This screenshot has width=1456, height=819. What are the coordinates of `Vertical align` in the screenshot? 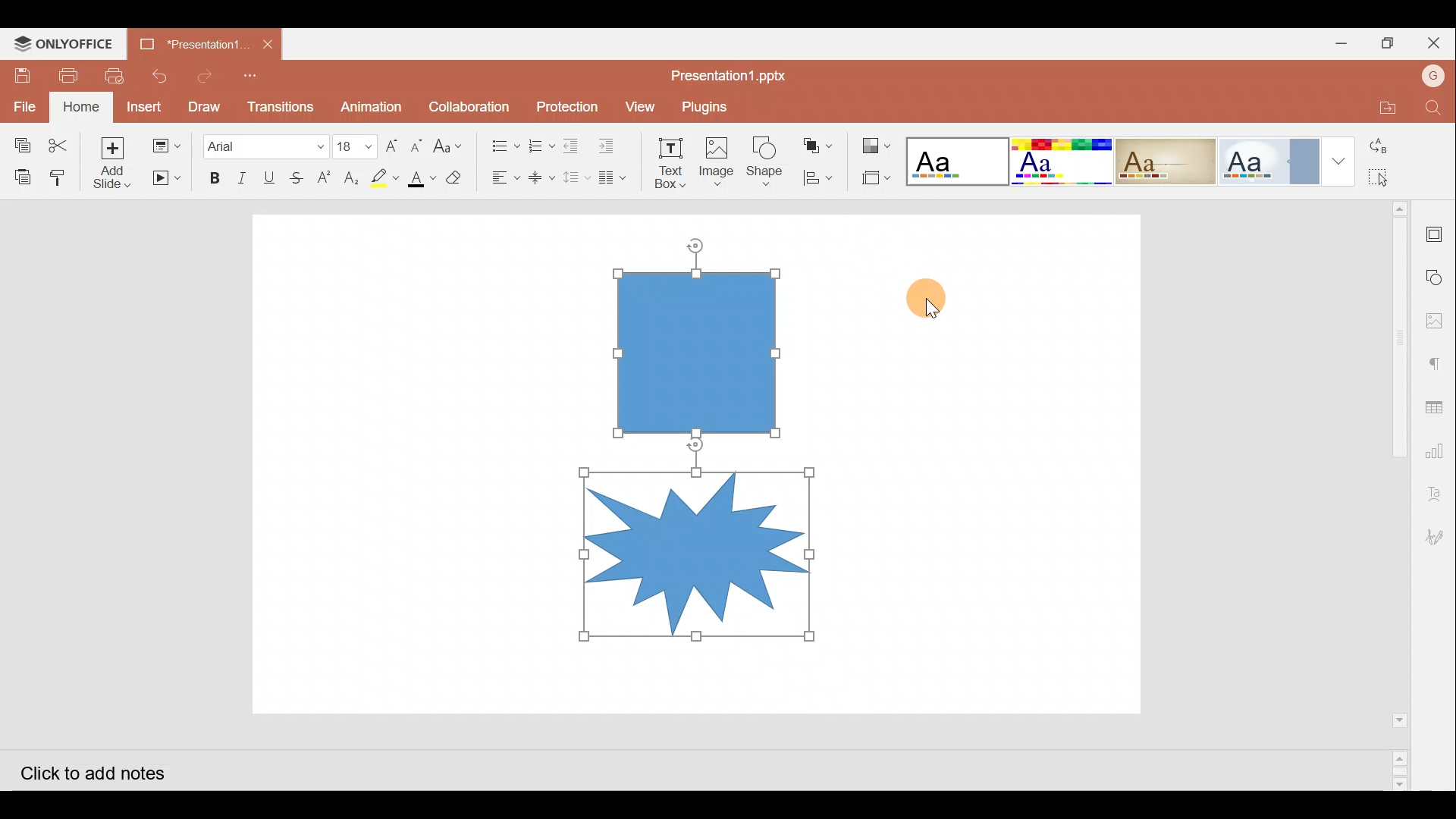 It's located at (540, 173).